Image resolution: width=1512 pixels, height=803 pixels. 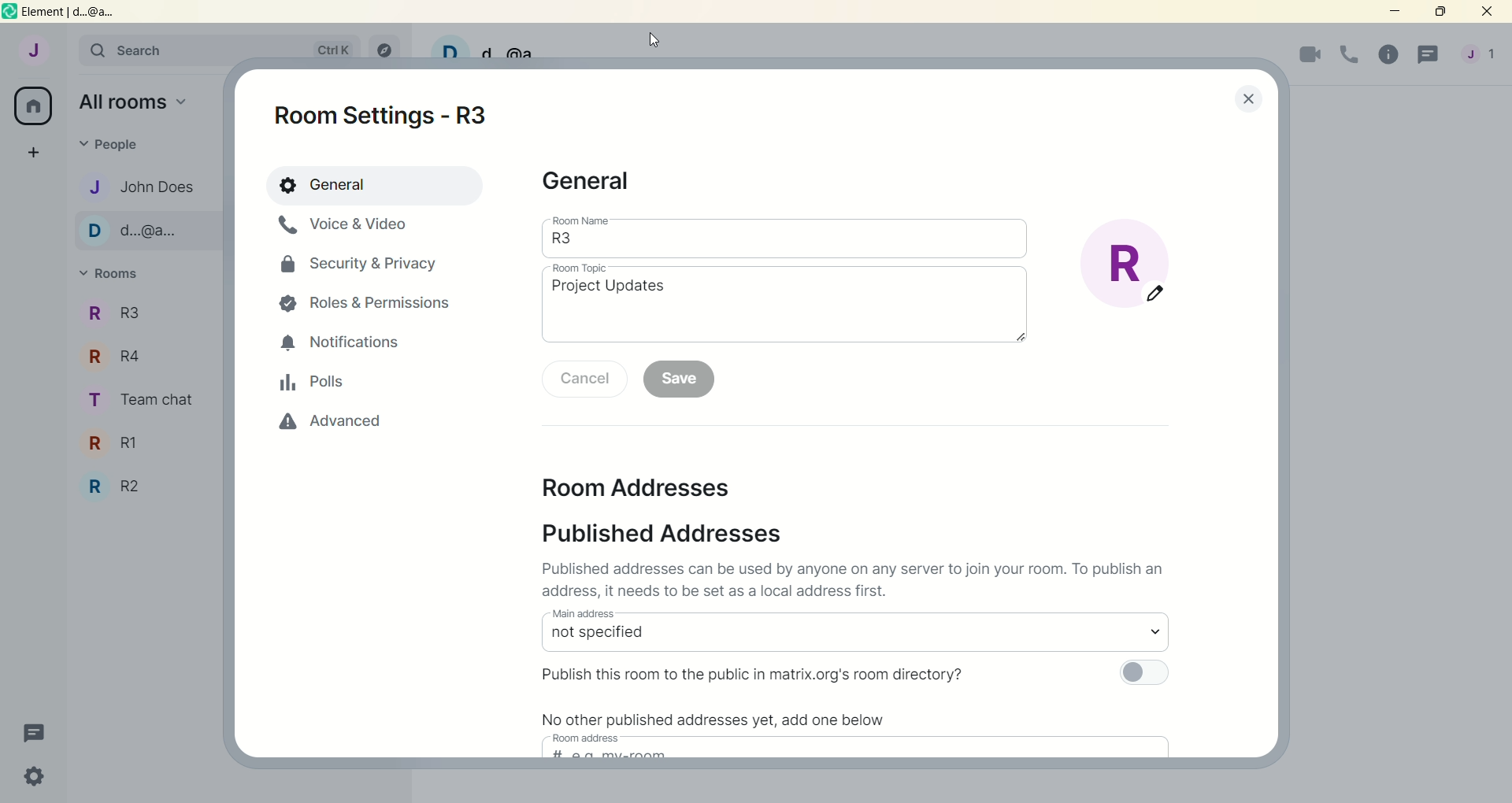 I want to click on security and privacy, so click(x=355, y=264).